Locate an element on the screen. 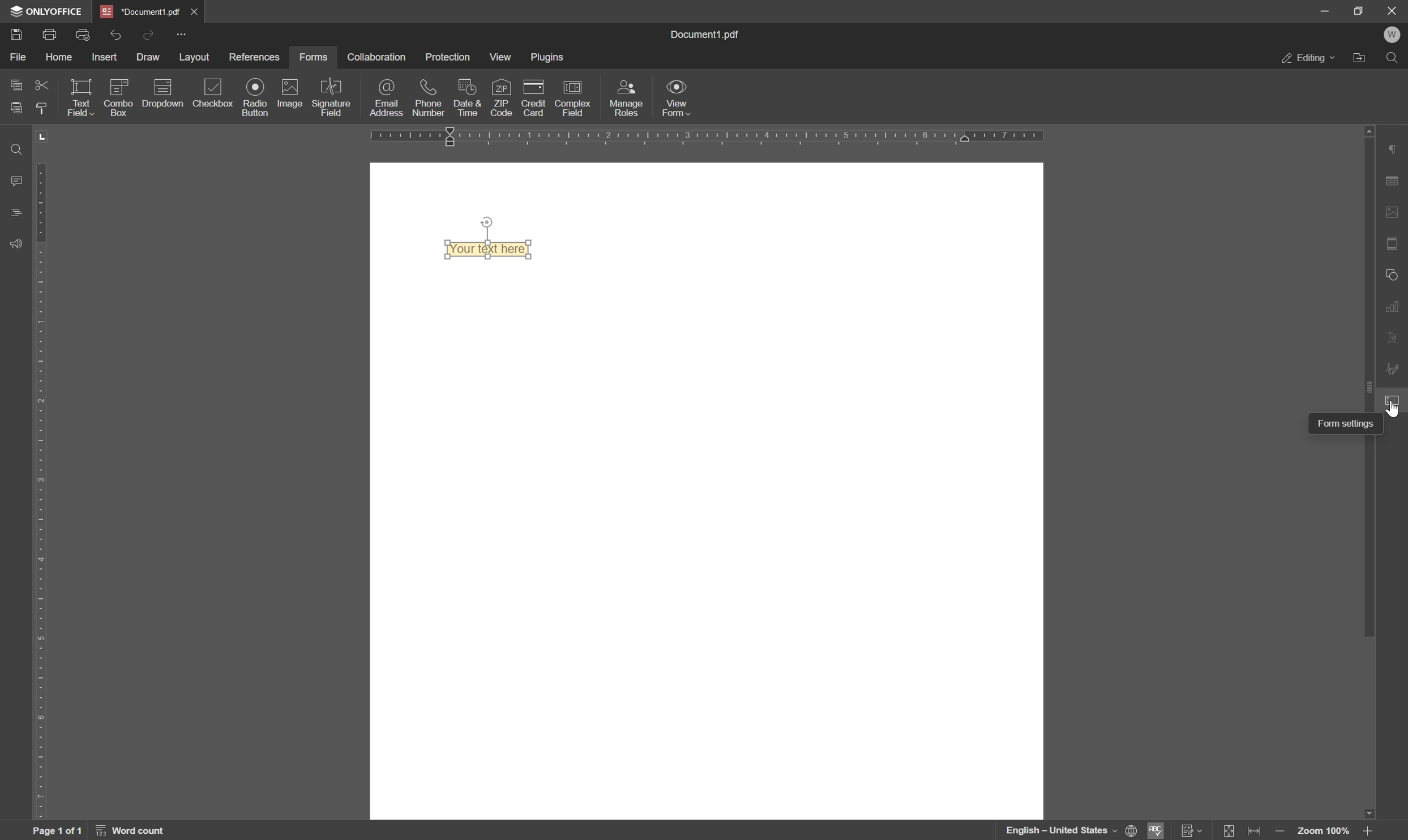 This screenshot has height=840, width=1408. close is located at coordinates (195, 10).